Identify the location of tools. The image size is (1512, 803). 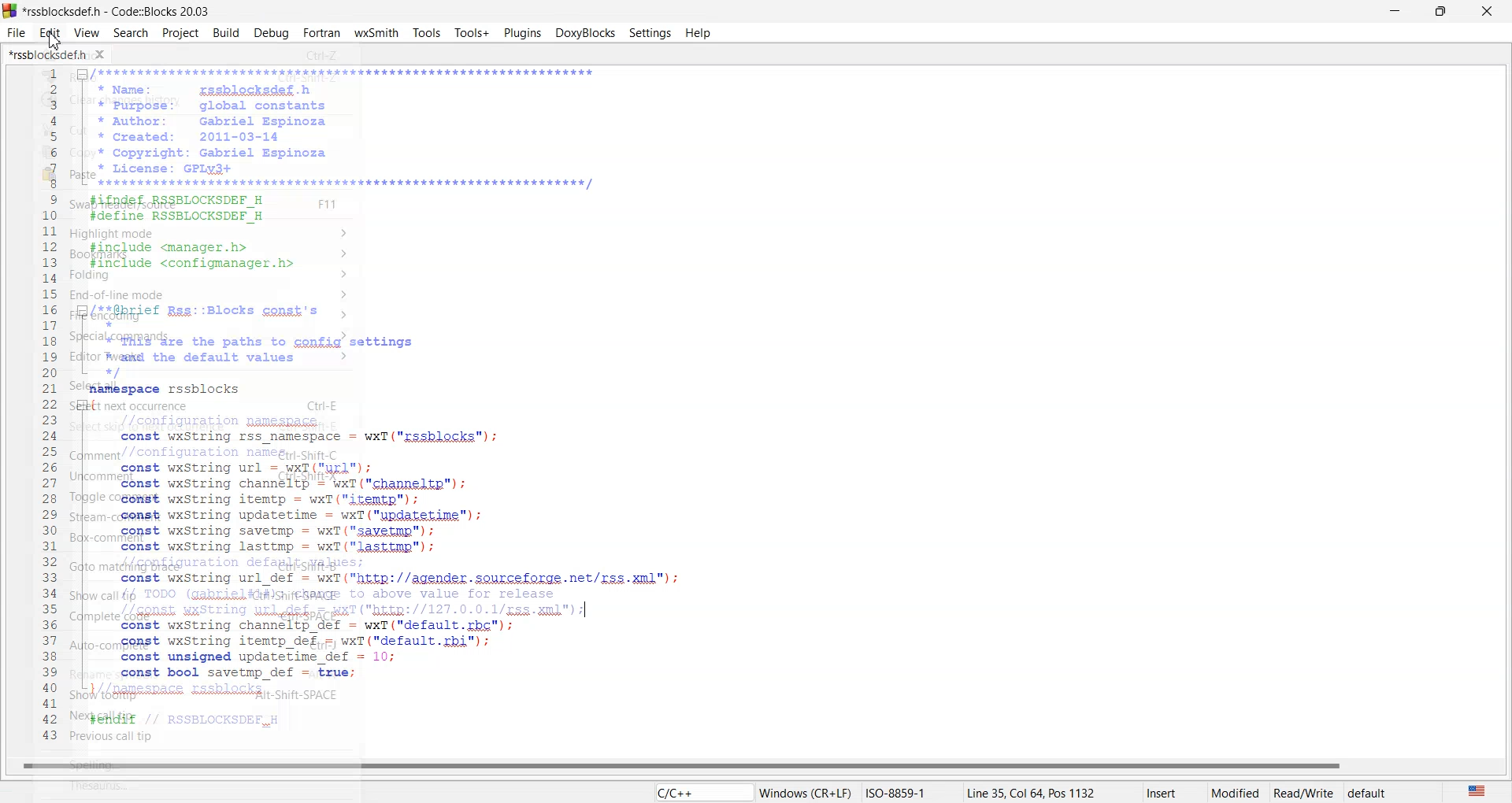
(427, 35).